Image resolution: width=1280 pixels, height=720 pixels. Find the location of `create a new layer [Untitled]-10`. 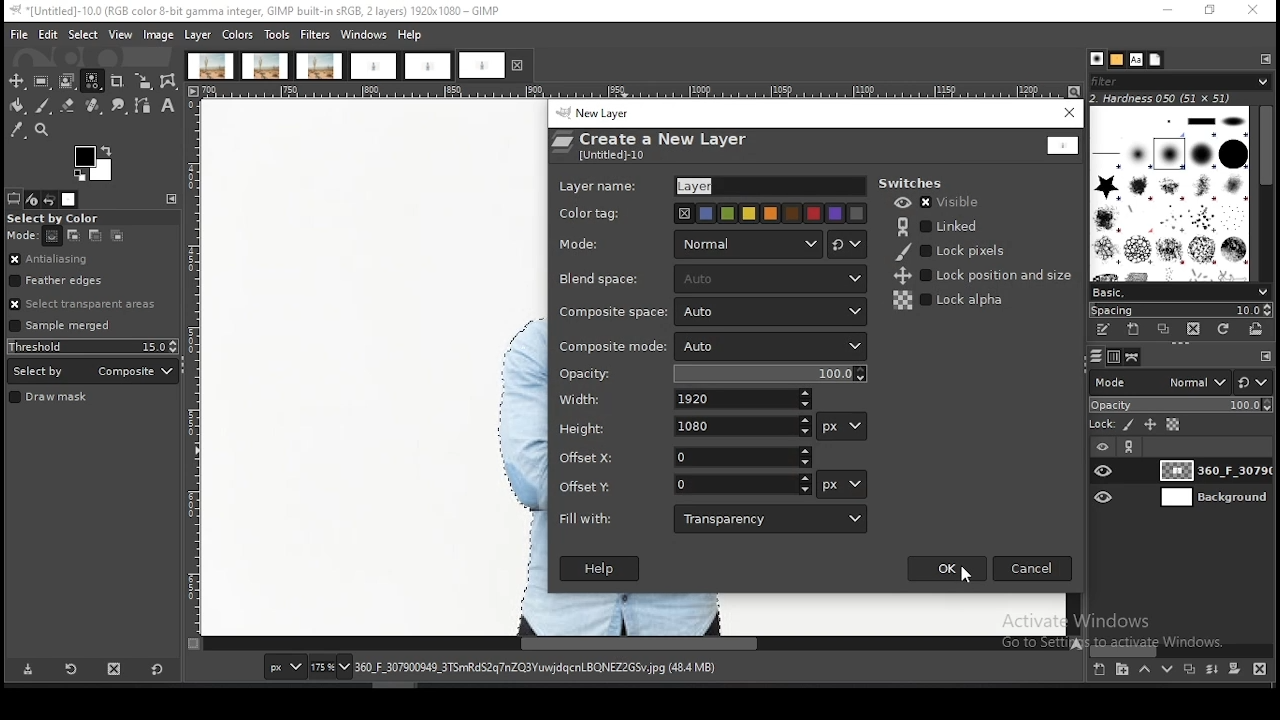

create a new layer [Untitled]-10 is located at coordinates (657, 146).